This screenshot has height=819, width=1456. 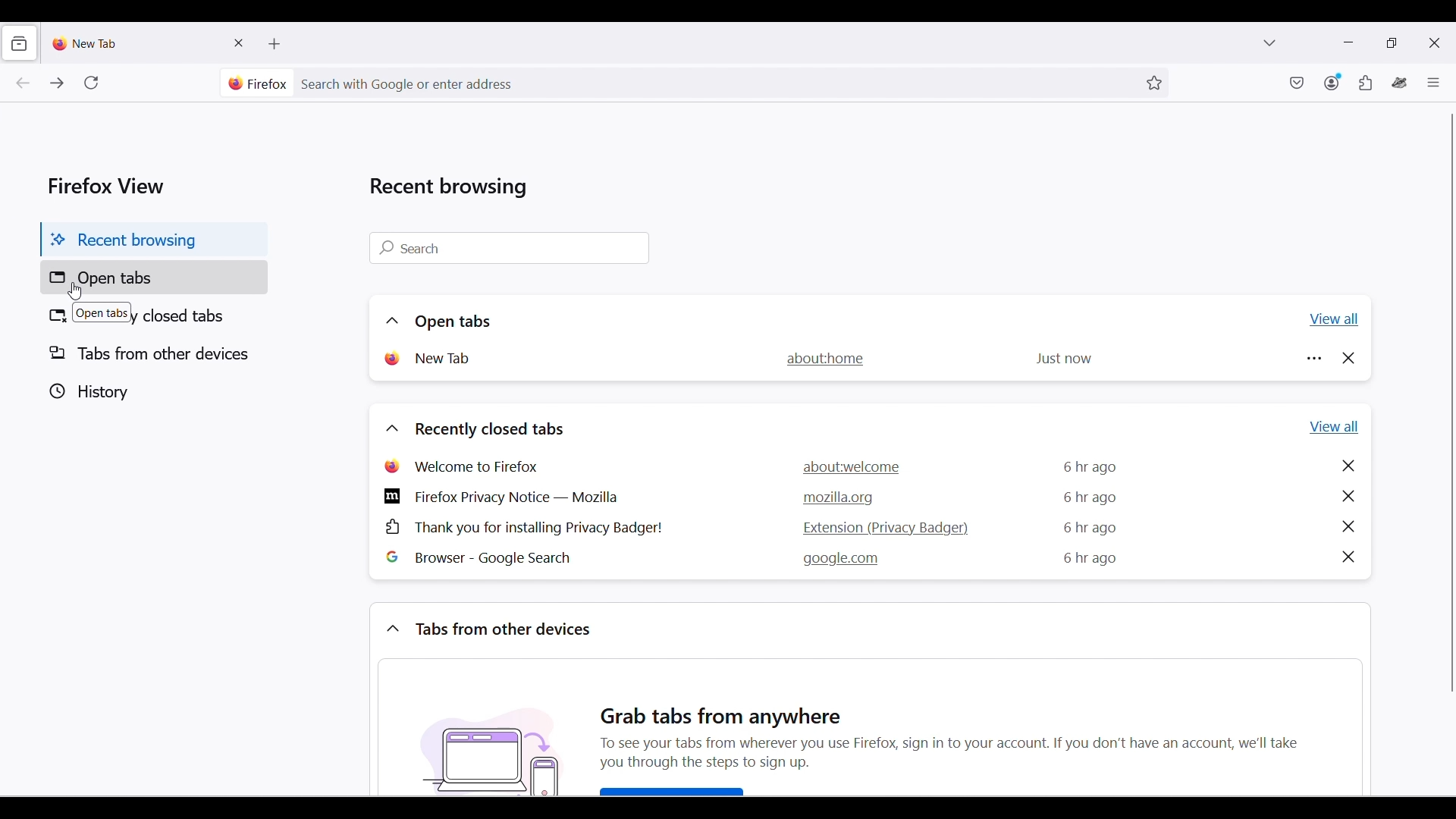 I want to click on Reload current page, so click(x=91, y=83).